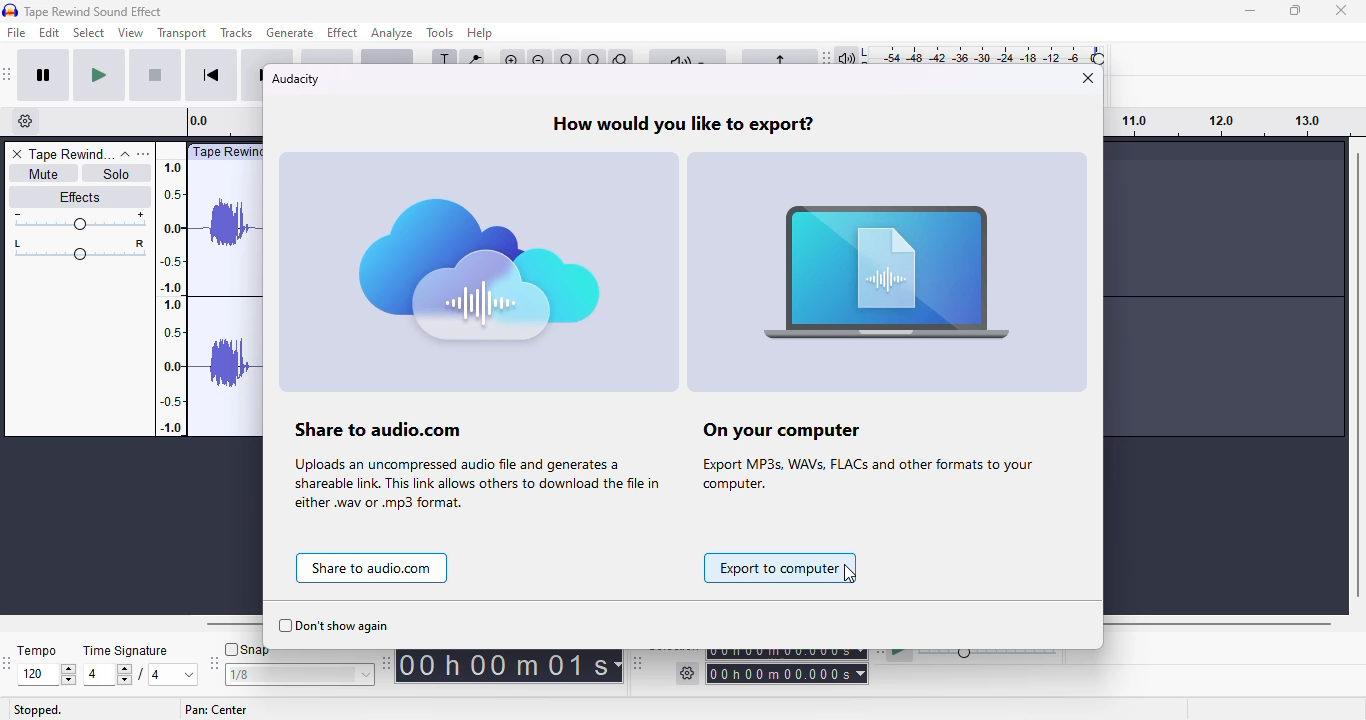 The height and width of the screenshot is (720, 1366). What do you see at coordinates (289, 33) in the screenshot?
I see `generate` at bounding box center [289, 33].